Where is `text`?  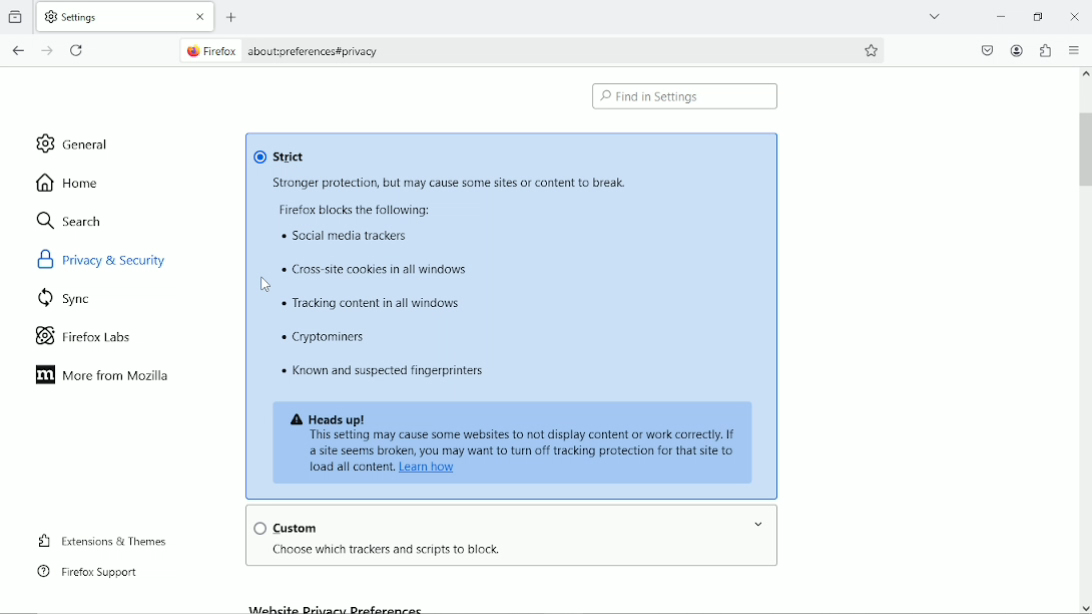
text is located at coordinates (339, 419).